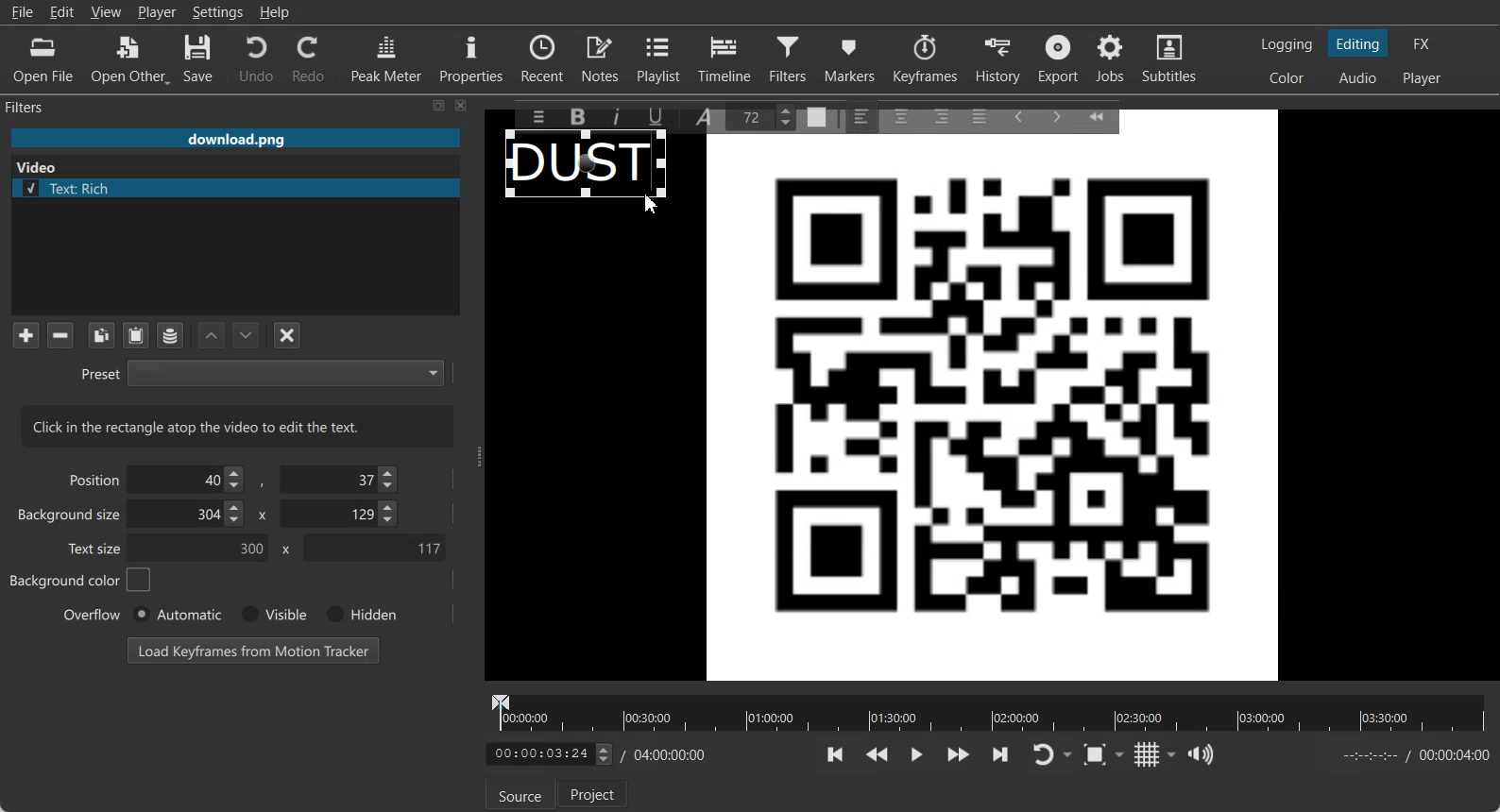  I want to click on Maximize, so click(439, 105).